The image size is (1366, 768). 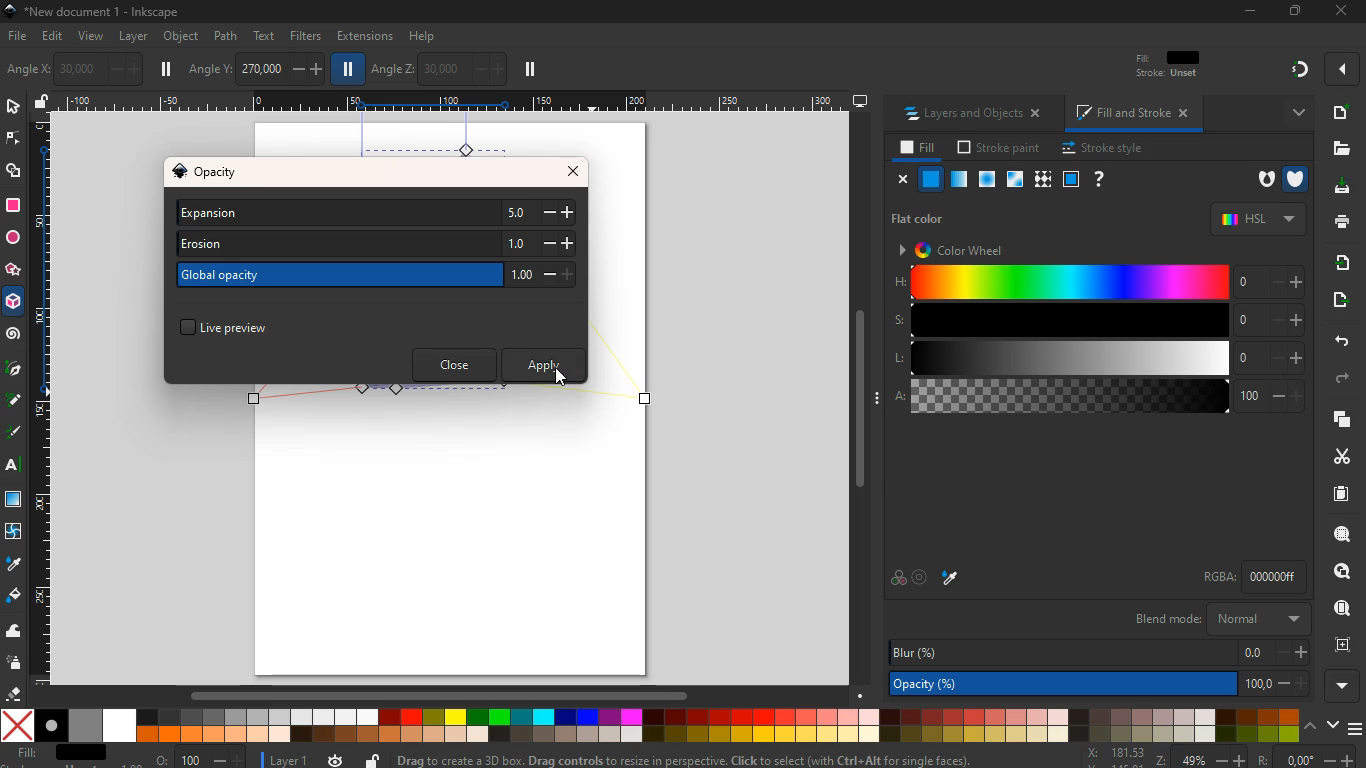 What do you see at coordinates (12, 564) in the screenshot?
I see `drop` at bounding box center [12, 564].